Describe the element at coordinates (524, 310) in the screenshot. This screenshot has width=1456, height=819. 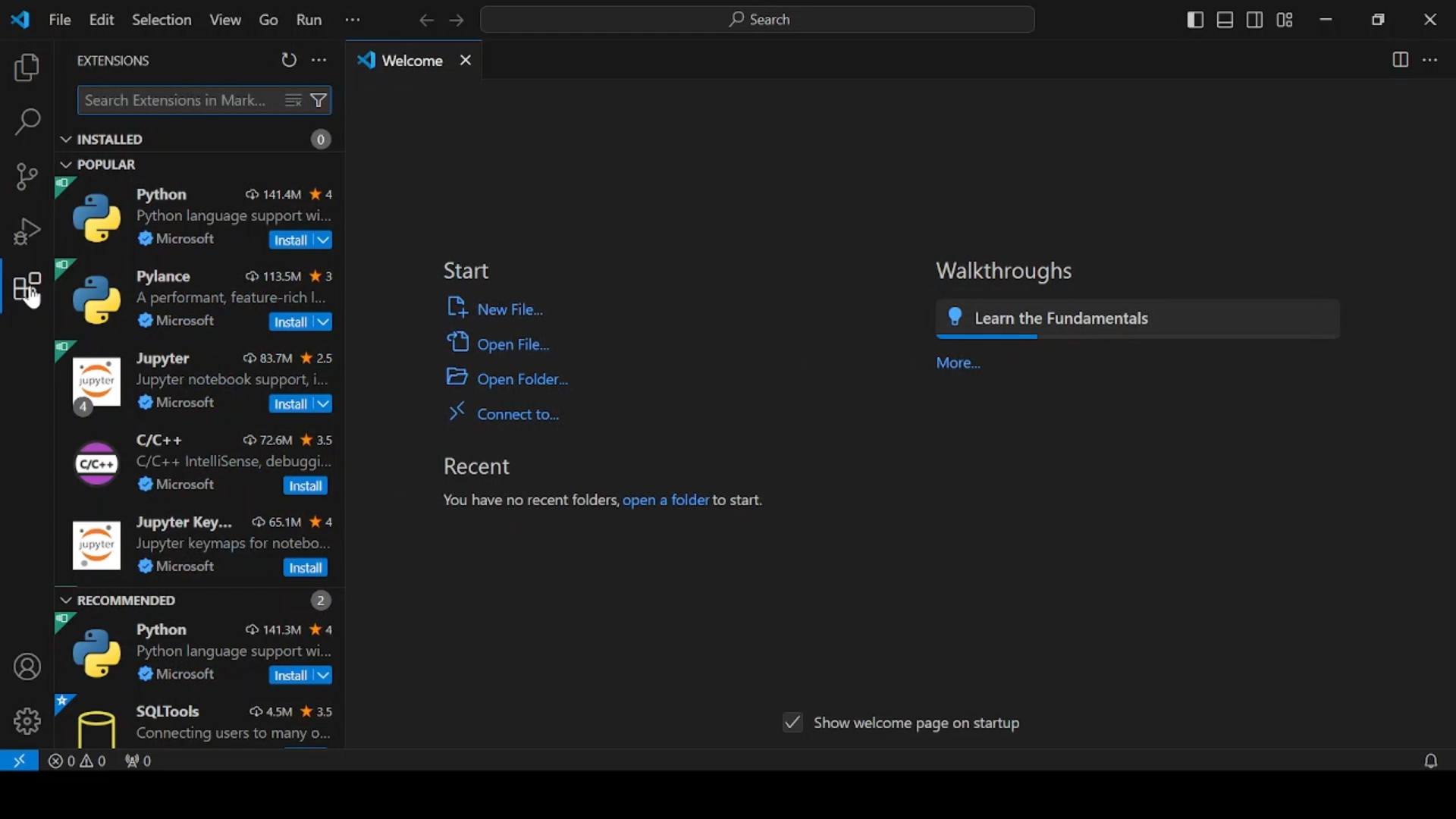
I see `new file` at that location.